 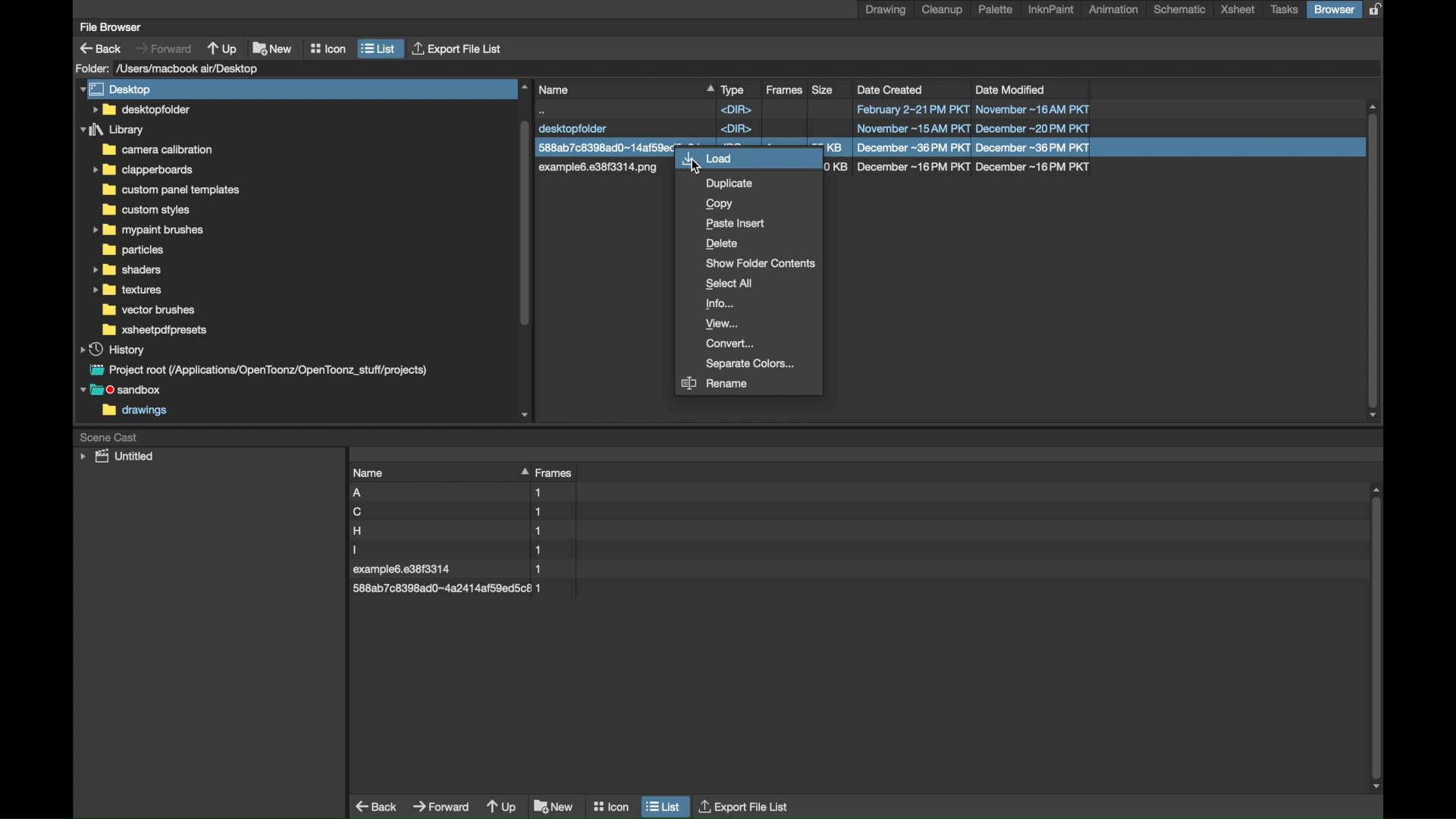 What do you see at coordinates (736, 224) in the screenshot?
I see `paste insert` at bounding box center [736, 224].